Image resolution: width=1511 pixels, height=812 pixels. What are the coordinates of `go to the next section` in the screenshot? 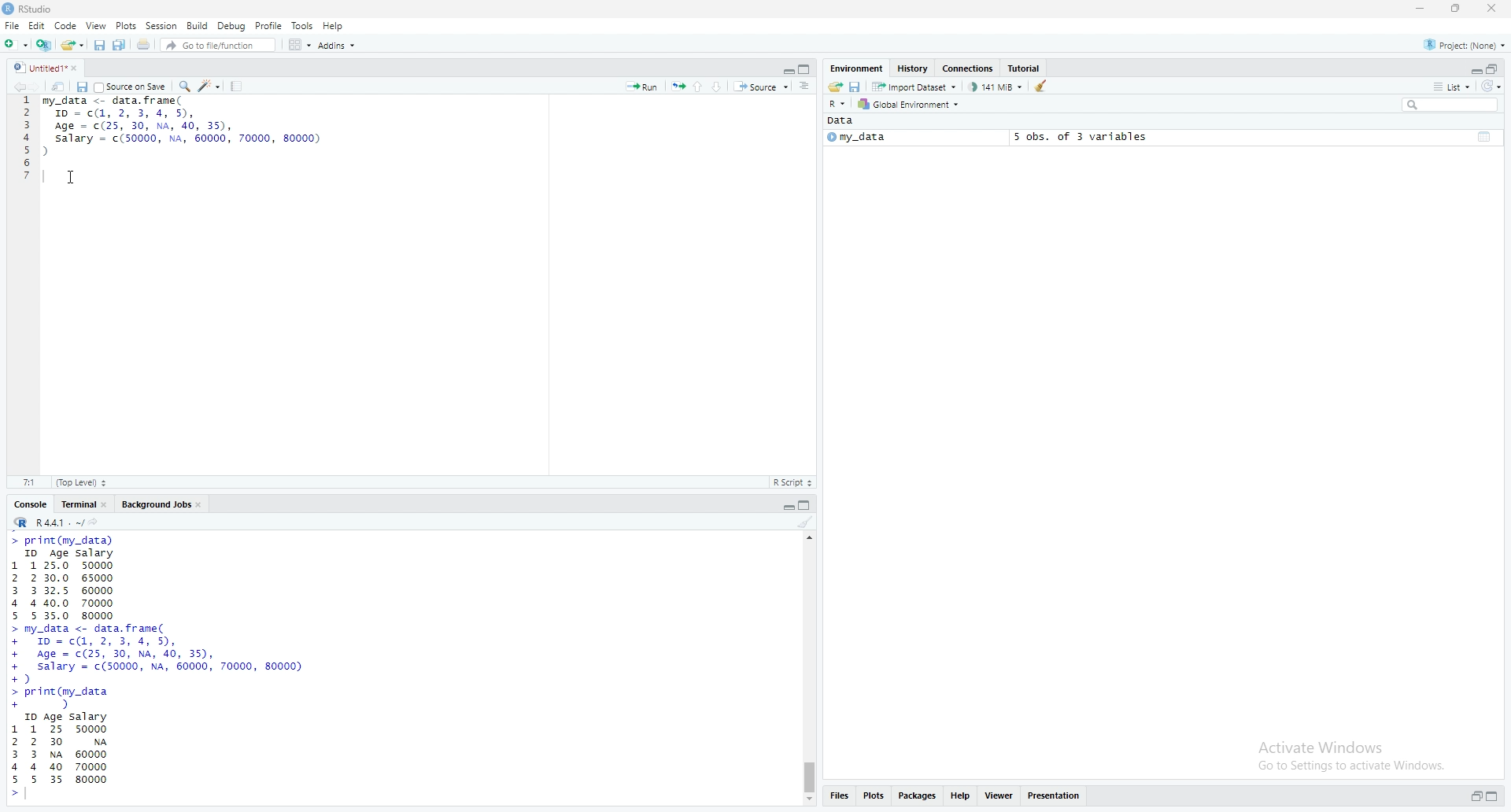 It's located at (722, 87).